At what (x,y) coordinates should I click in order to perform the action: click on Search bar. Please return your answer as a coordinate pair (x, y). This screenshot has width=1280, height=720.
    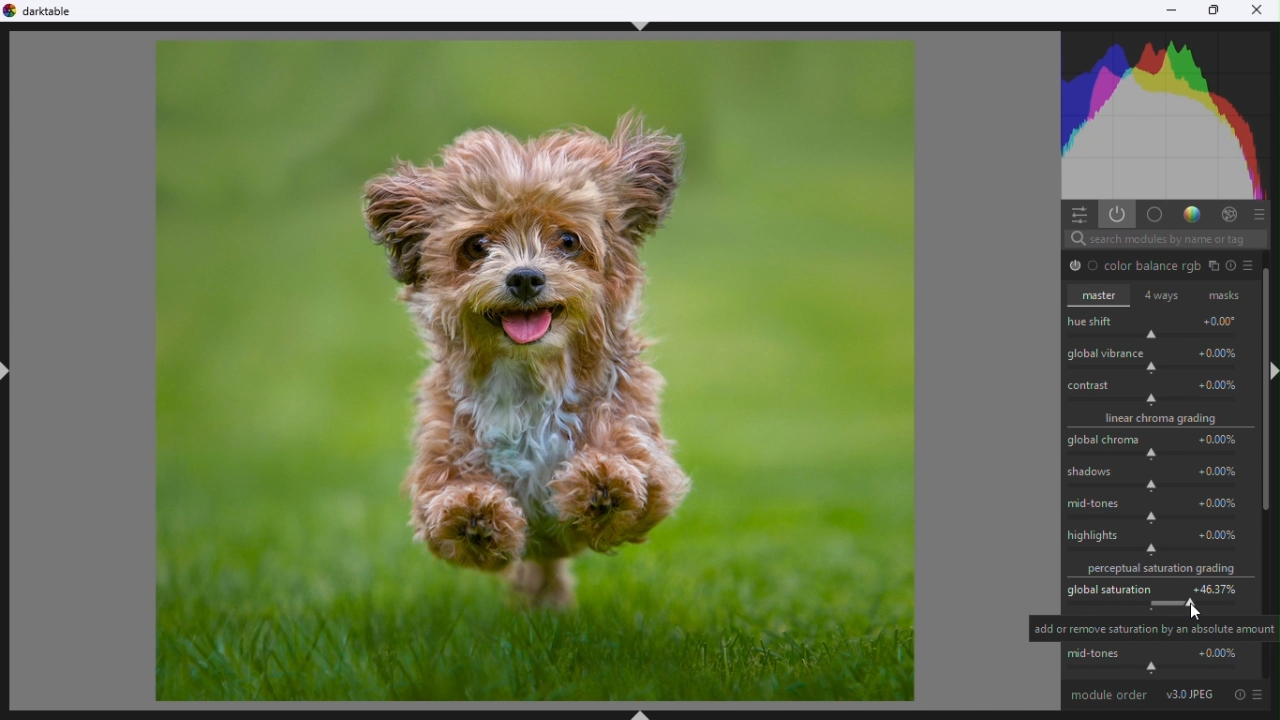
    Looking at the image, I should click on (1165, 239).